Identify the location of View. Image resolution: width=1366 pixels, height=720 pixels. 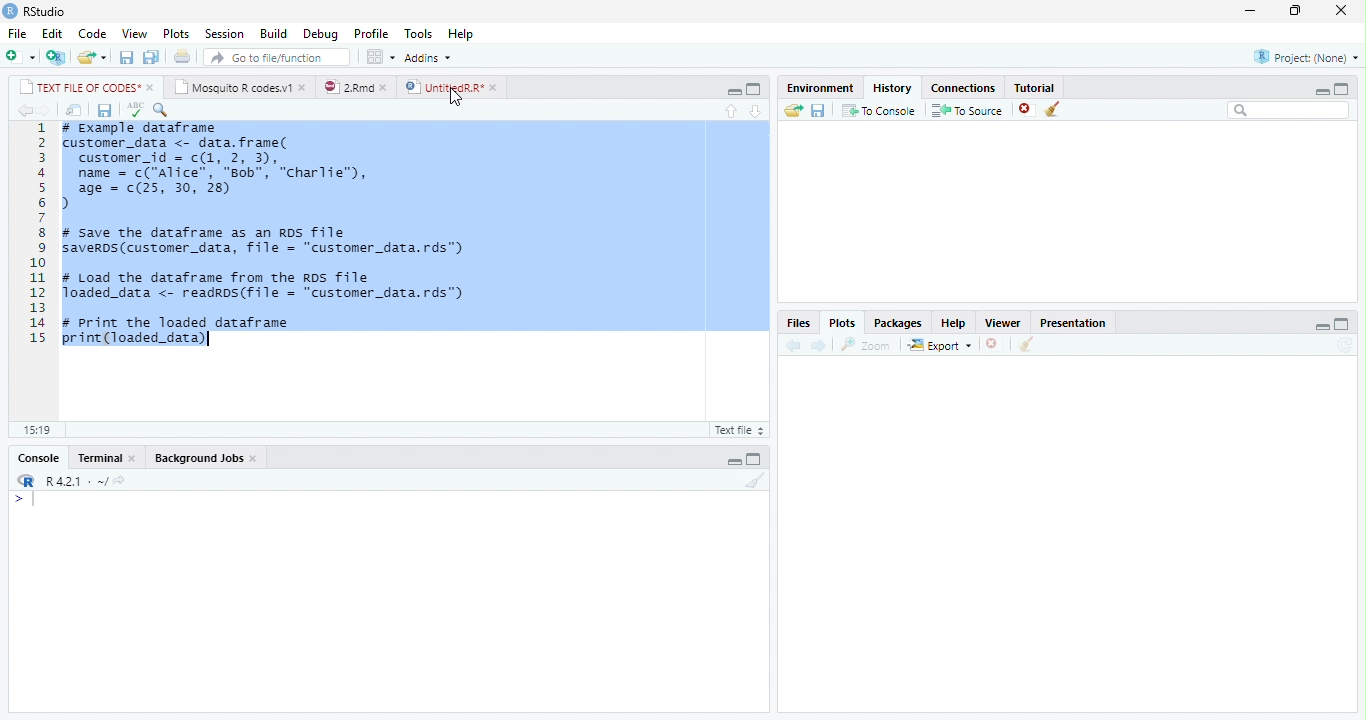
(135, 33).